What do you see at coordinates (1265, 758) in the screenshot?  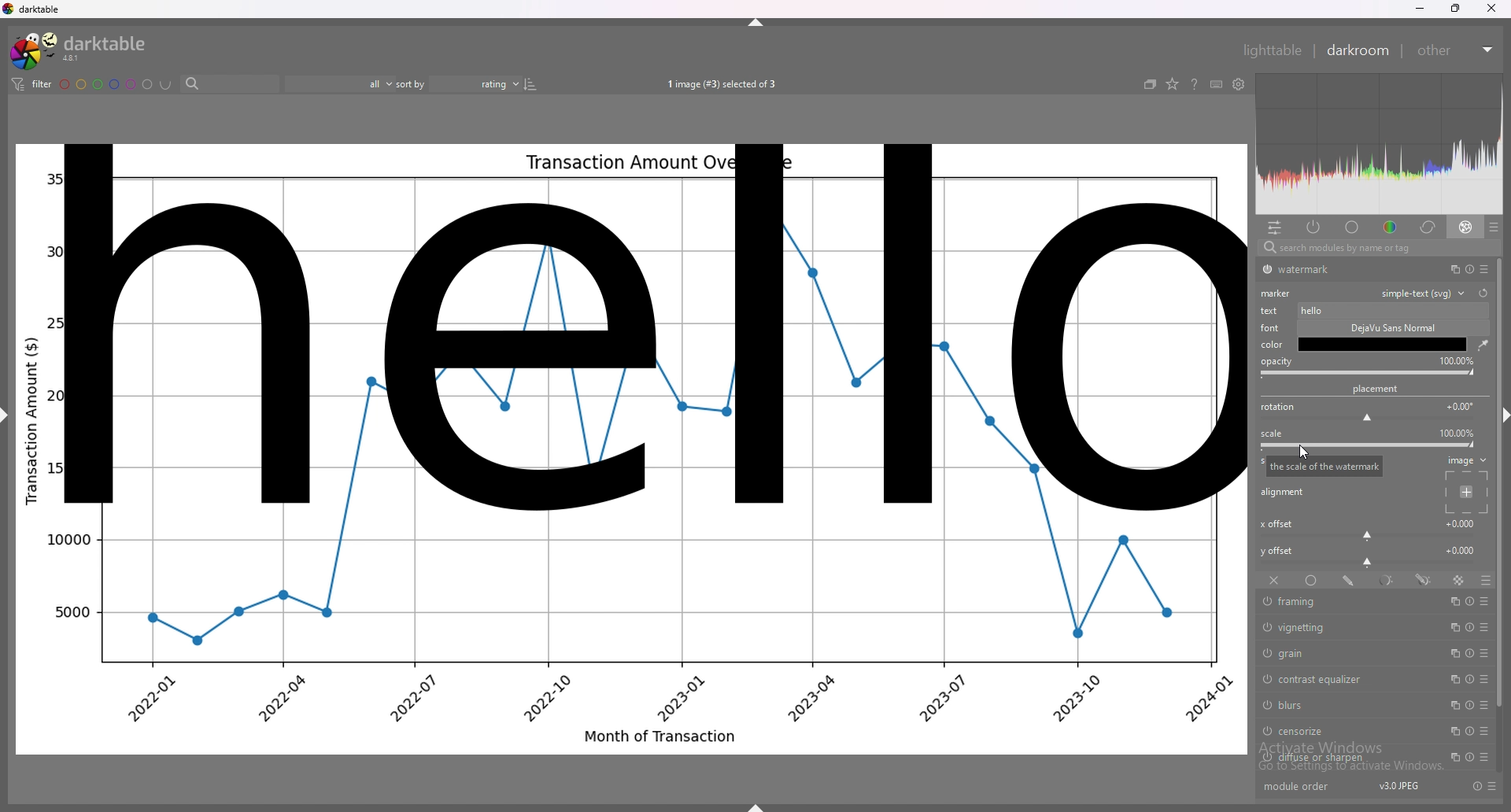 I see `switch off` at bounding box center [1265, 758].